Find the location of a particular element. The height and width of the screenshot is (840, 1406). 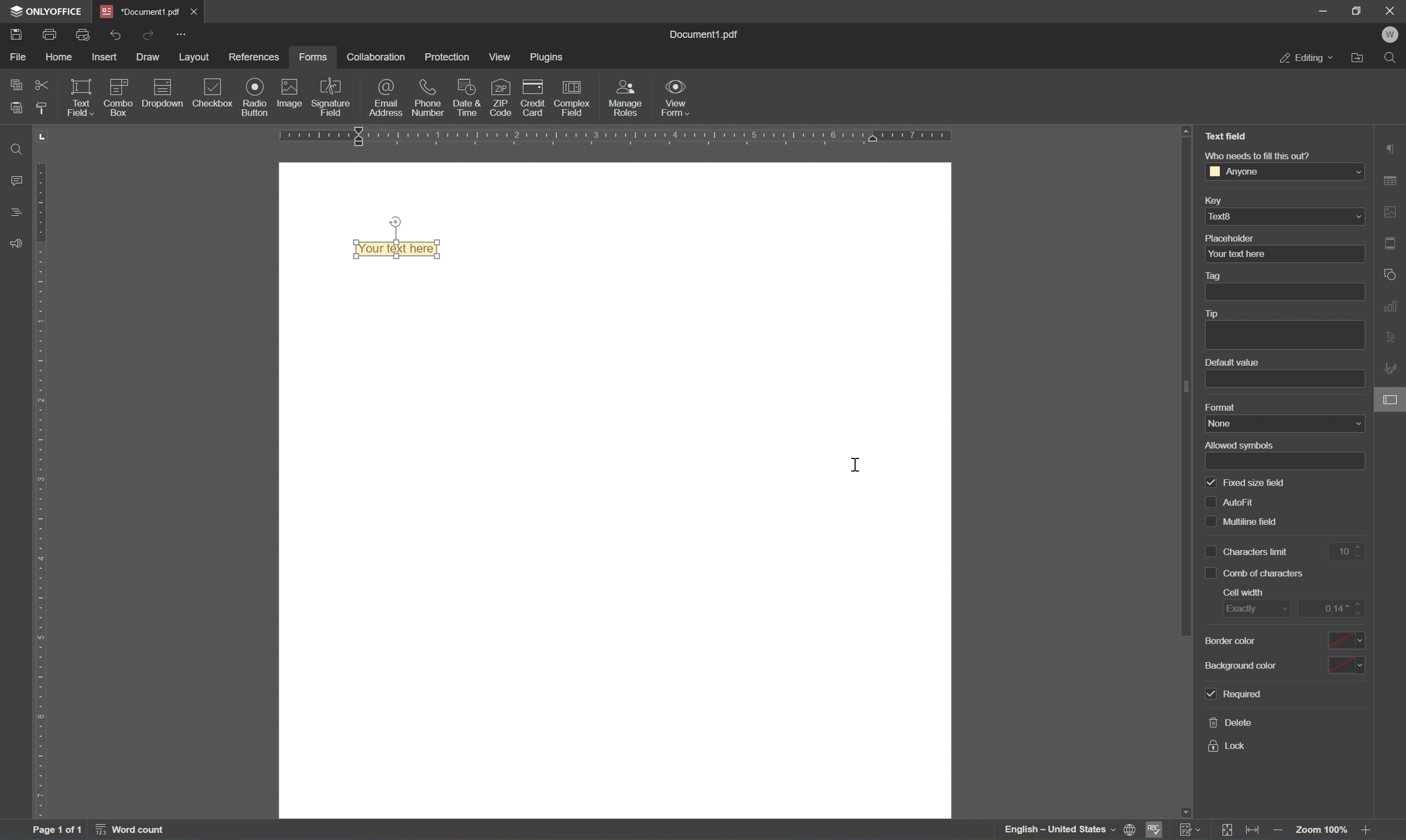

form settings is located at coordinates (1392, 398).